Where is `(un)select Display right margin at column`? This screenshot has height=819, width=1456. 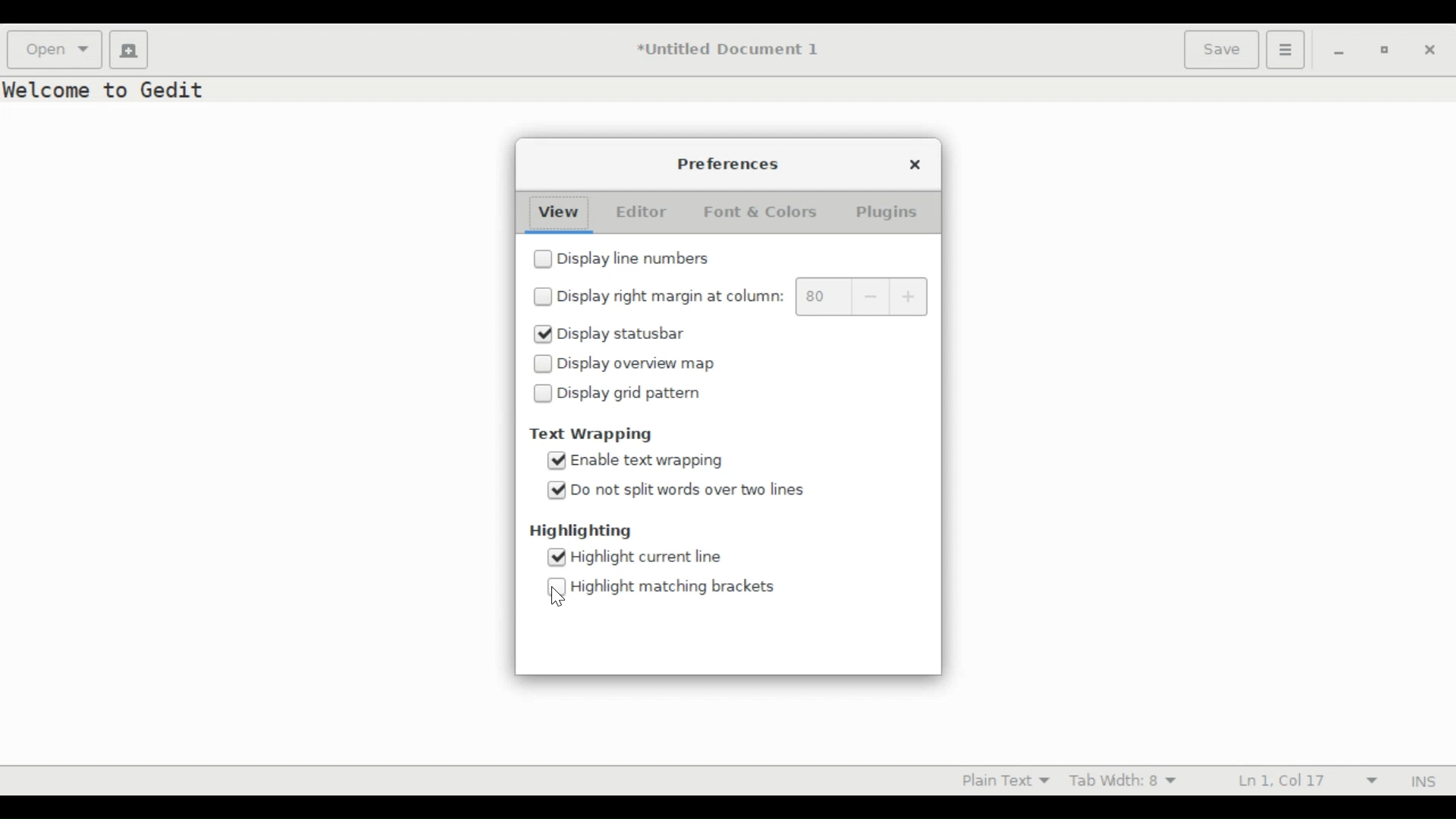 (un)select Display right margin at column is located at coordinates (672, 296).